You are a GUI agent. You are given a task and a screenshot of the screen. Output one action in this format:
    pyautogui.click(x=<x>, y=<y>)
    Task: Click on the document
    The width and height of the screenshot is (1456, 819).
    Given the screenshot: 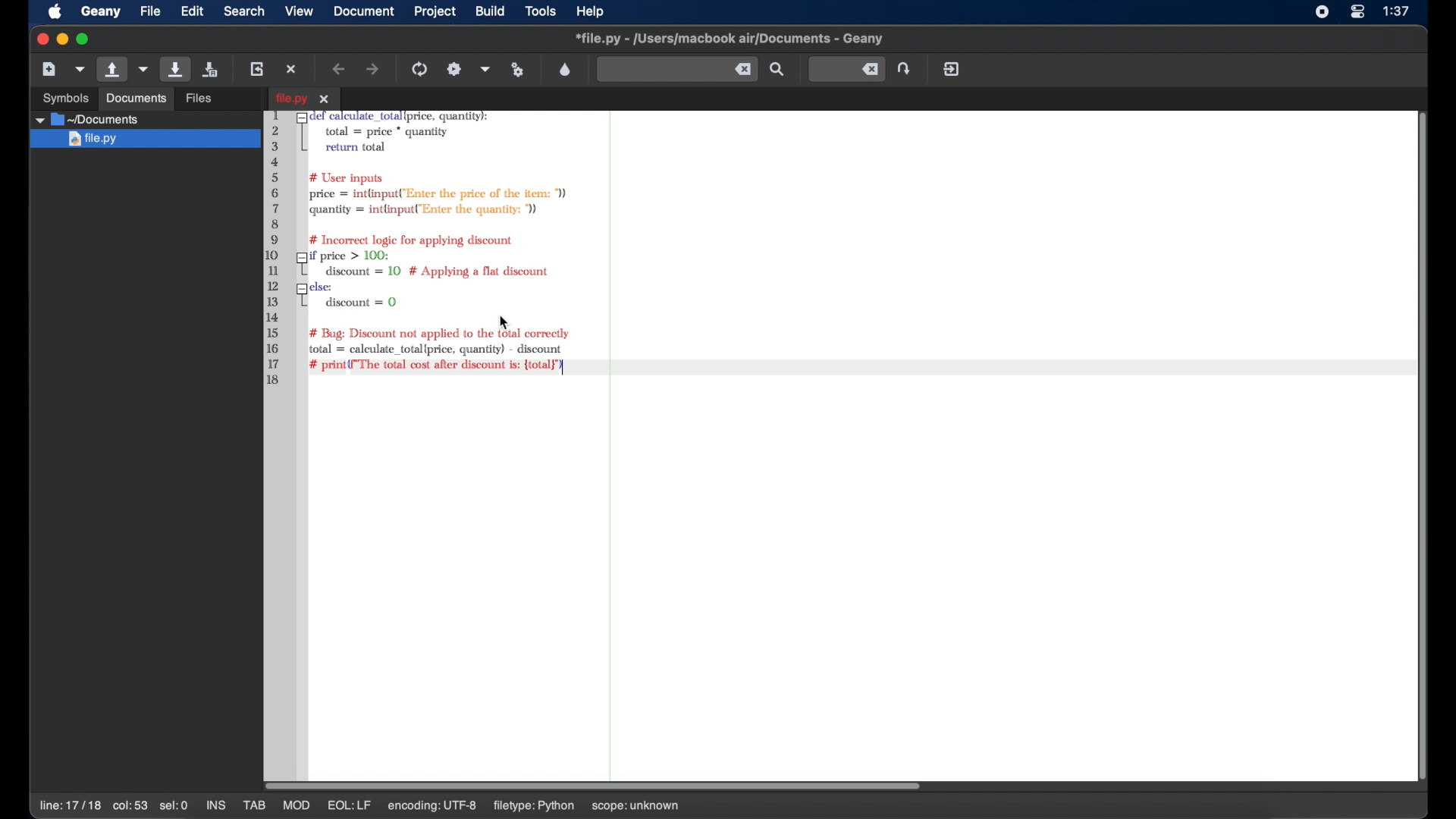 What is the action you would take?
    pyautogui.click(x=365, y=11)
    